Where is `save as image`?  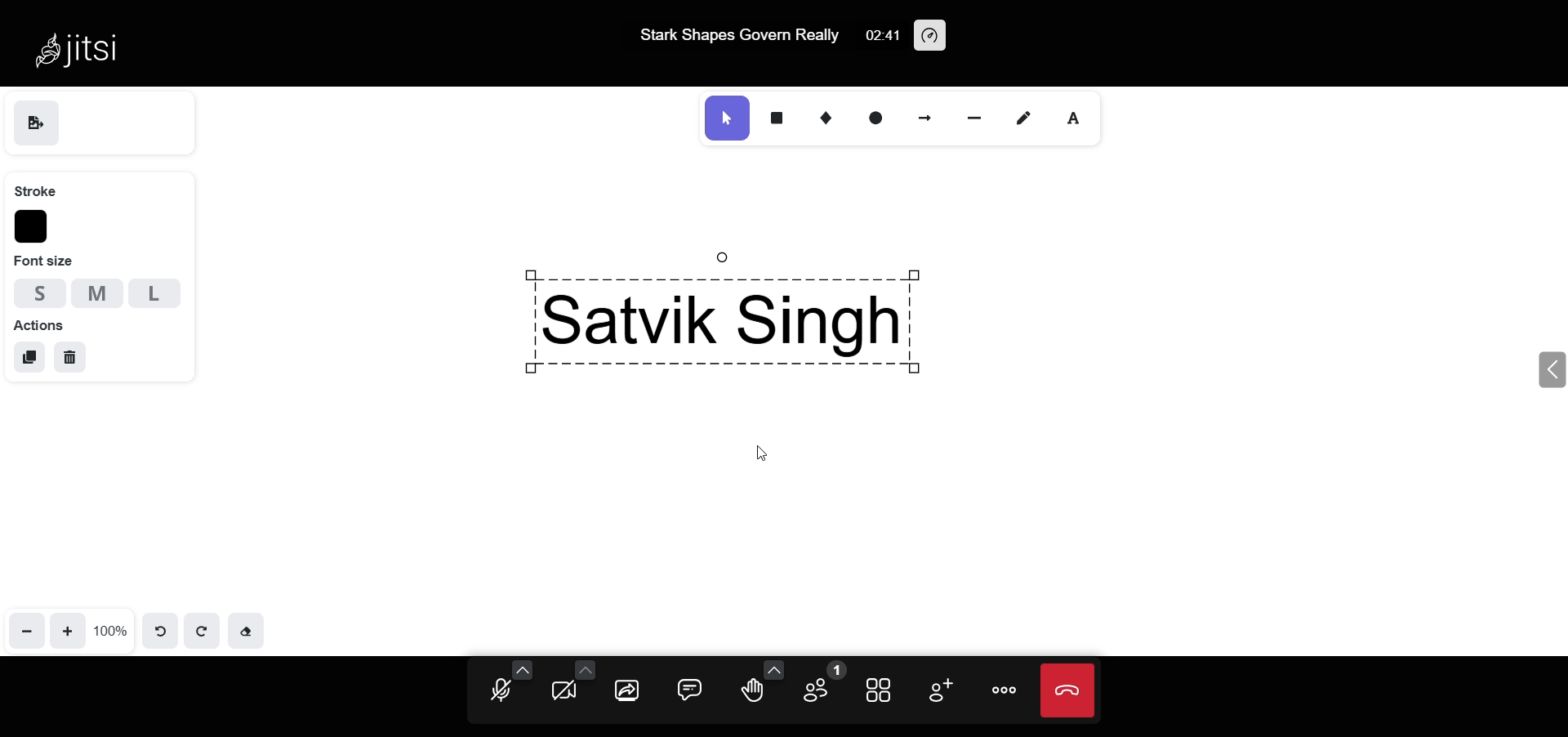 save as image is located at coordinates (36, 125).